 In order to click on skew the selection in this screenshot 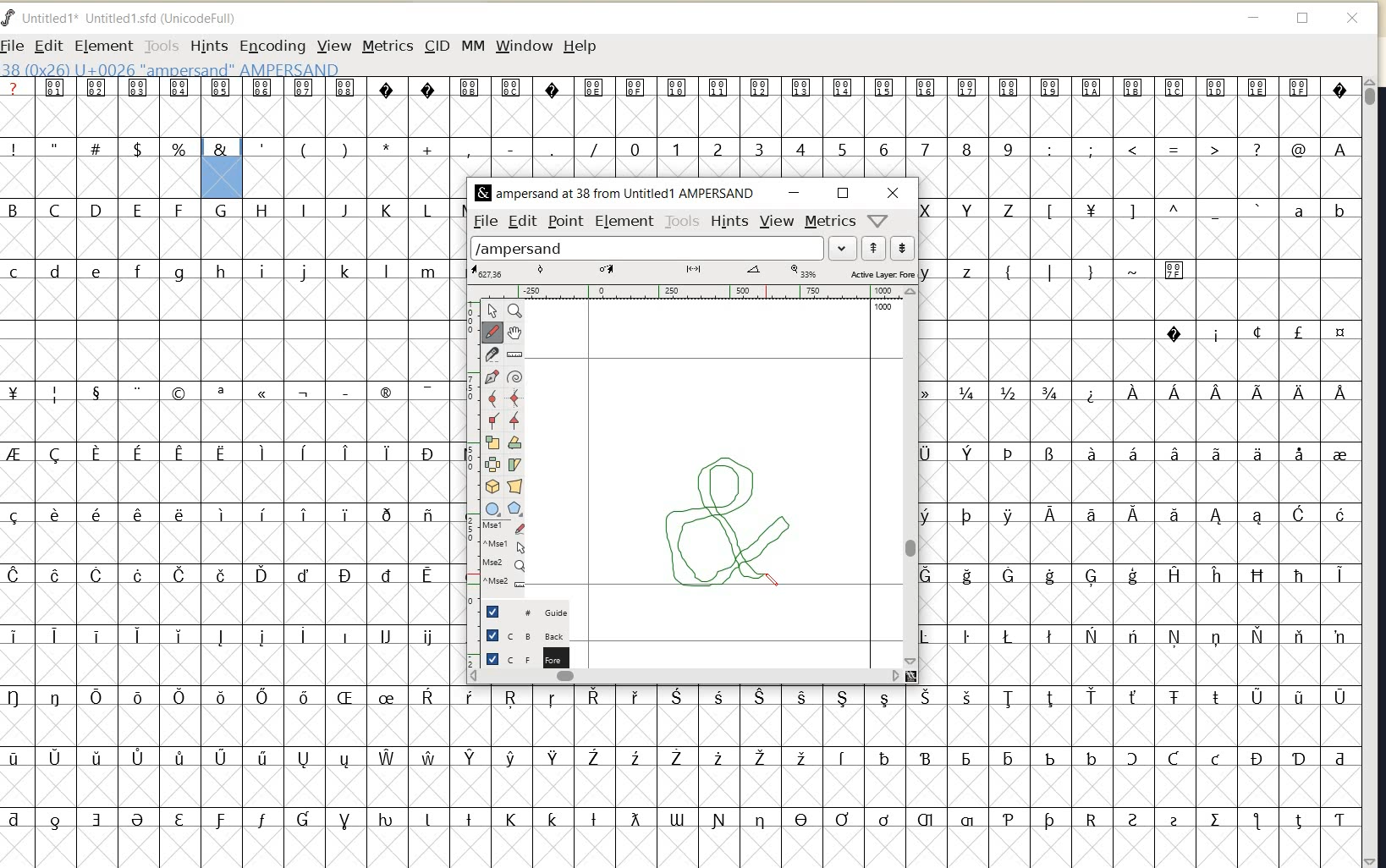, I will do `click(514, 464)`.